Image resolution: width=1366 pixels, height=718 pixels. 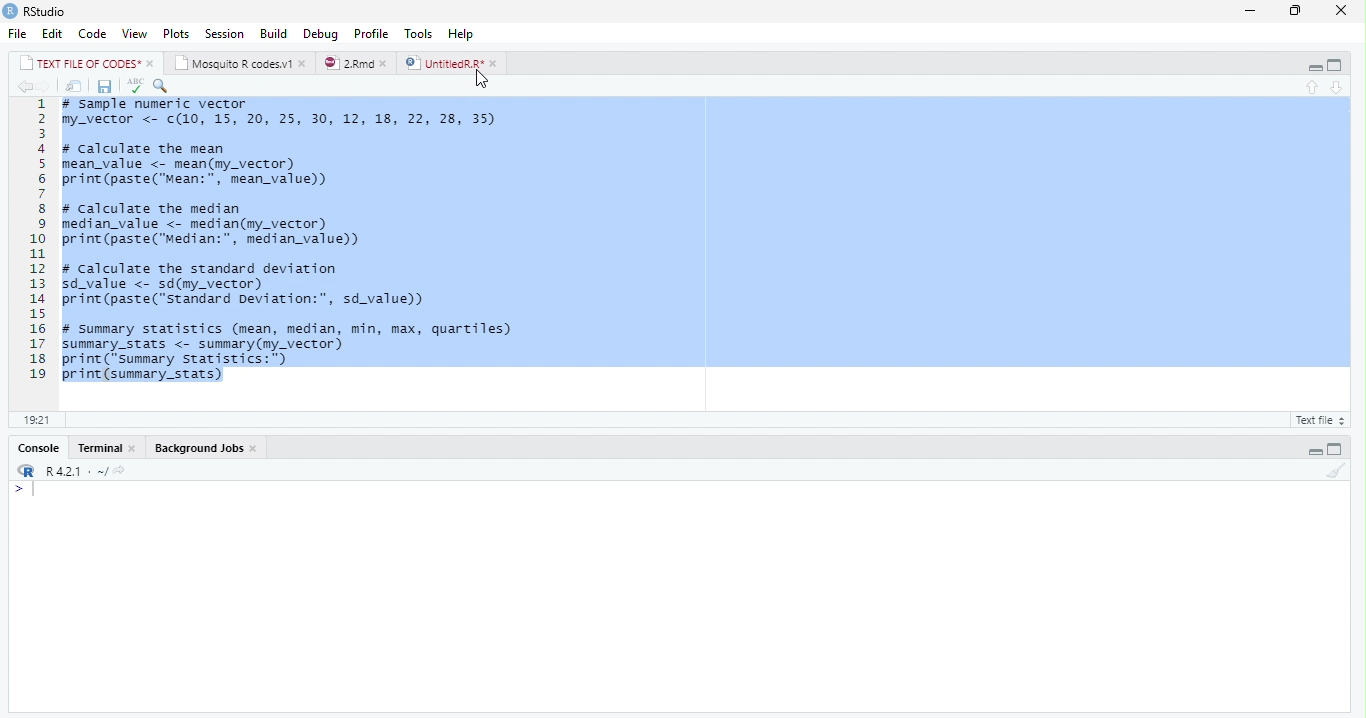 I want to click on edit, so click(x=53, y=34).